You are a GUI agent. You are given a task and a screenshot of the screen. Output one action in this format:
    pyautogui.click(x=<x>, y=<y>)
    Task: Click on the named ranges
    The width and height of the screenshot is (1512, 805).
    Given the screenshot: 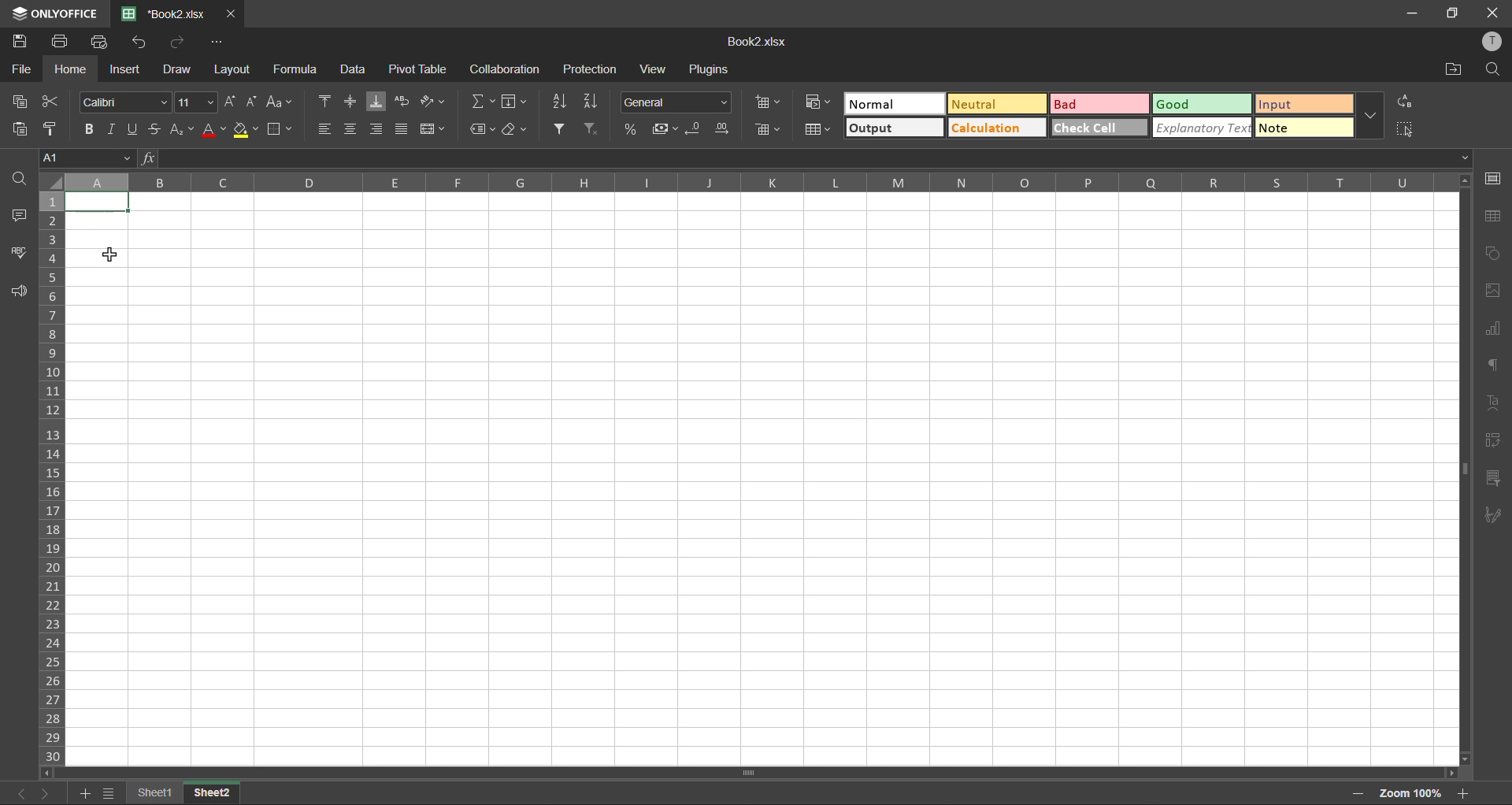 What is the action you would take?
    pyautogui.click(x=482, y=130)
    